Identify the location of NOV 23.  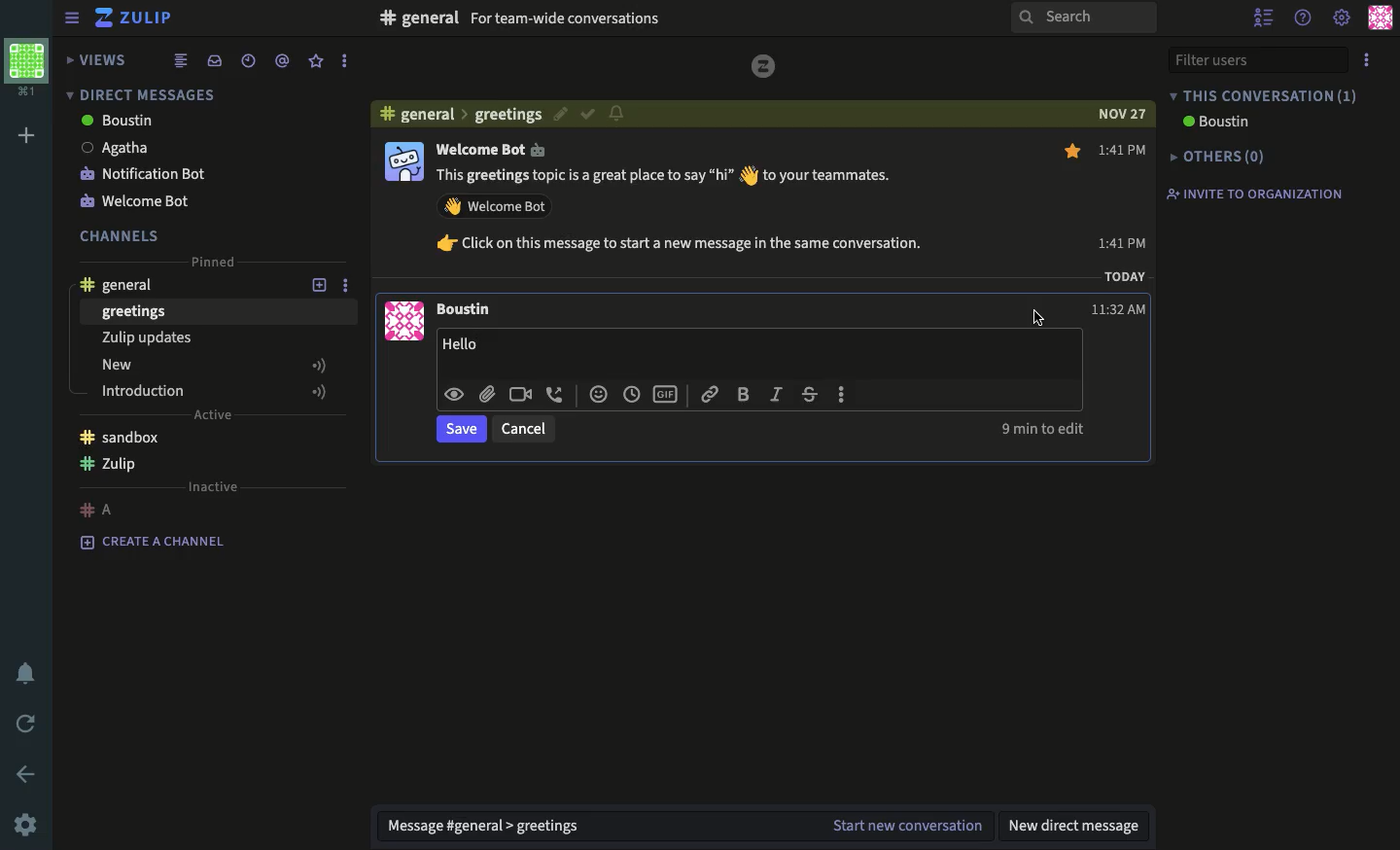
(1119, 111).